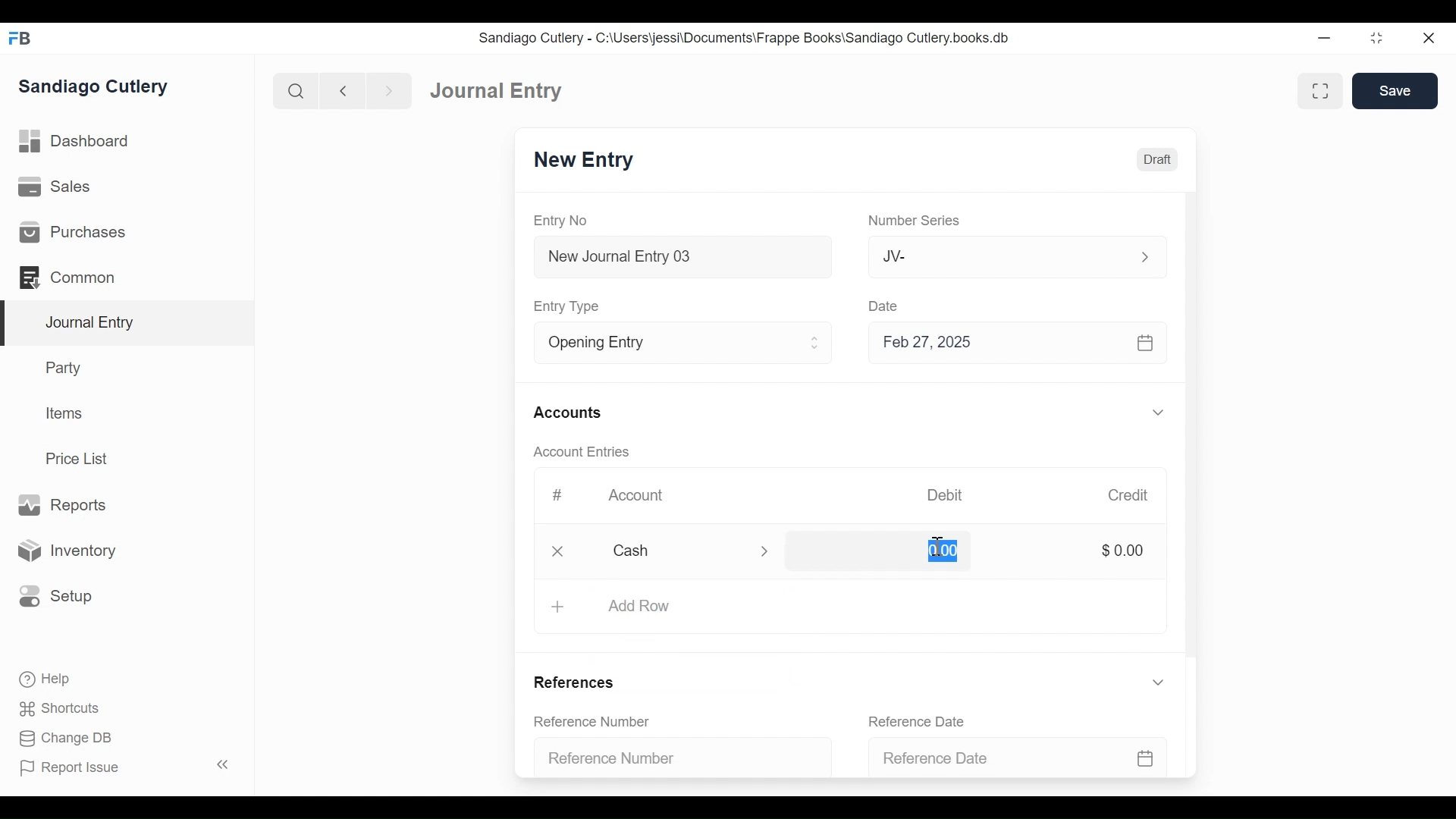 The height and width of the screenshot is (819, 1456). Describe the element at coordinates (938, 545) in the screenshot. I see `cursor` at that location.